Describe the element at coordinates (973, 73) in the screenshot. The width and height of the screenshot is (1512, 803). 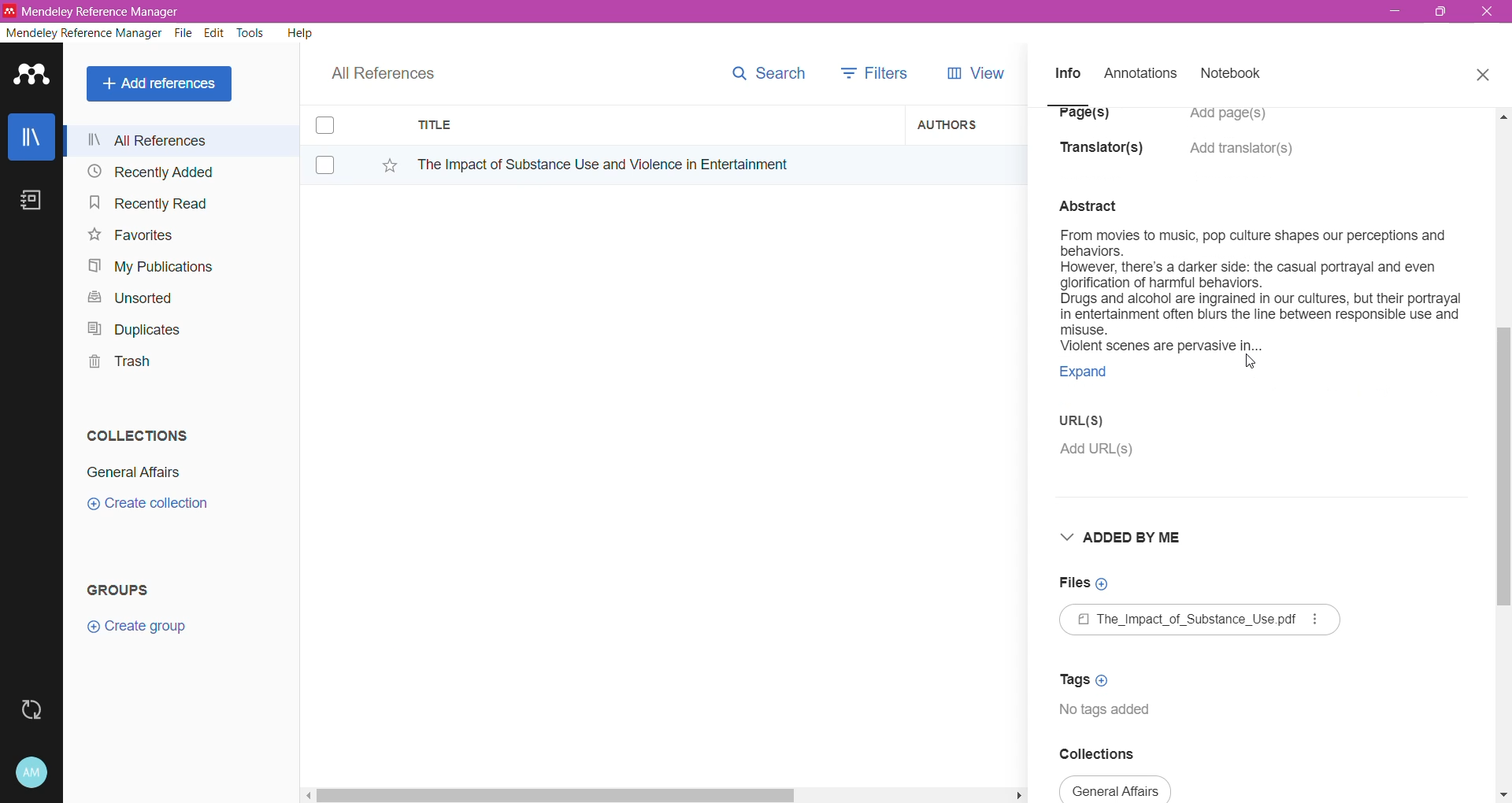
I see `View` at that location.